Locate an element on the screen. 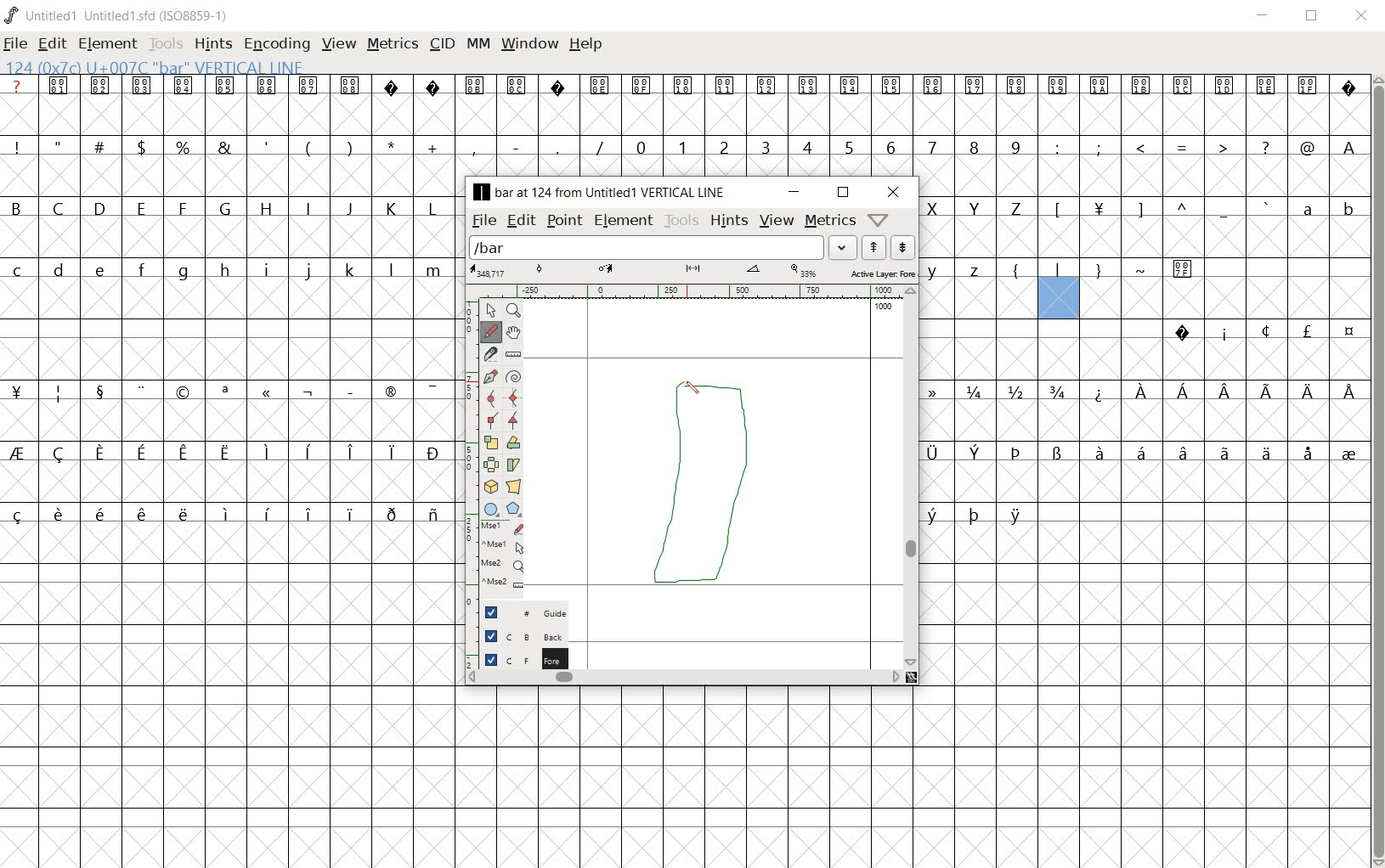  hints is located at coordinates (728, 220).